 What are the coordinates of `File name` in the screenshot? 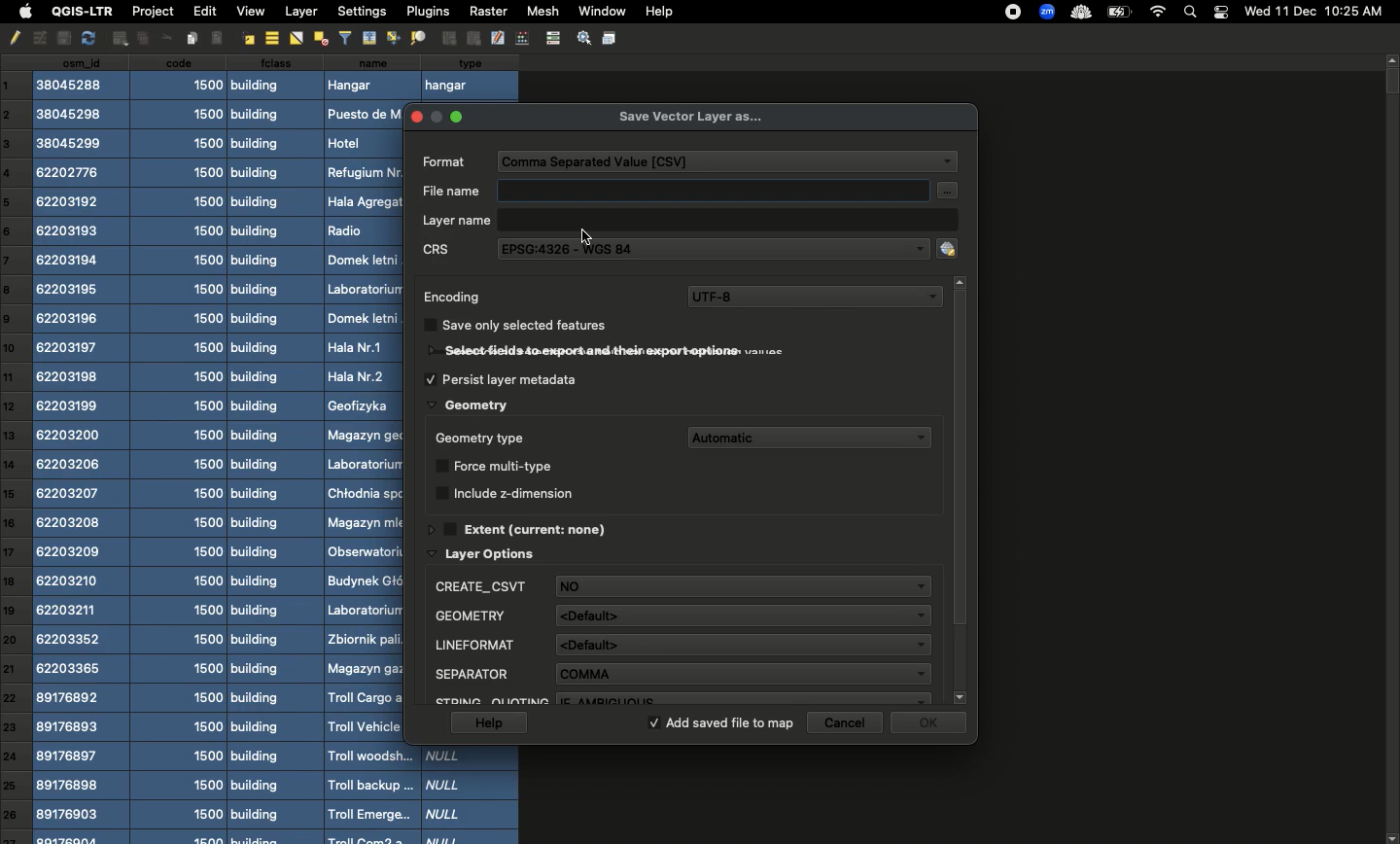 It's located at (698, 189).